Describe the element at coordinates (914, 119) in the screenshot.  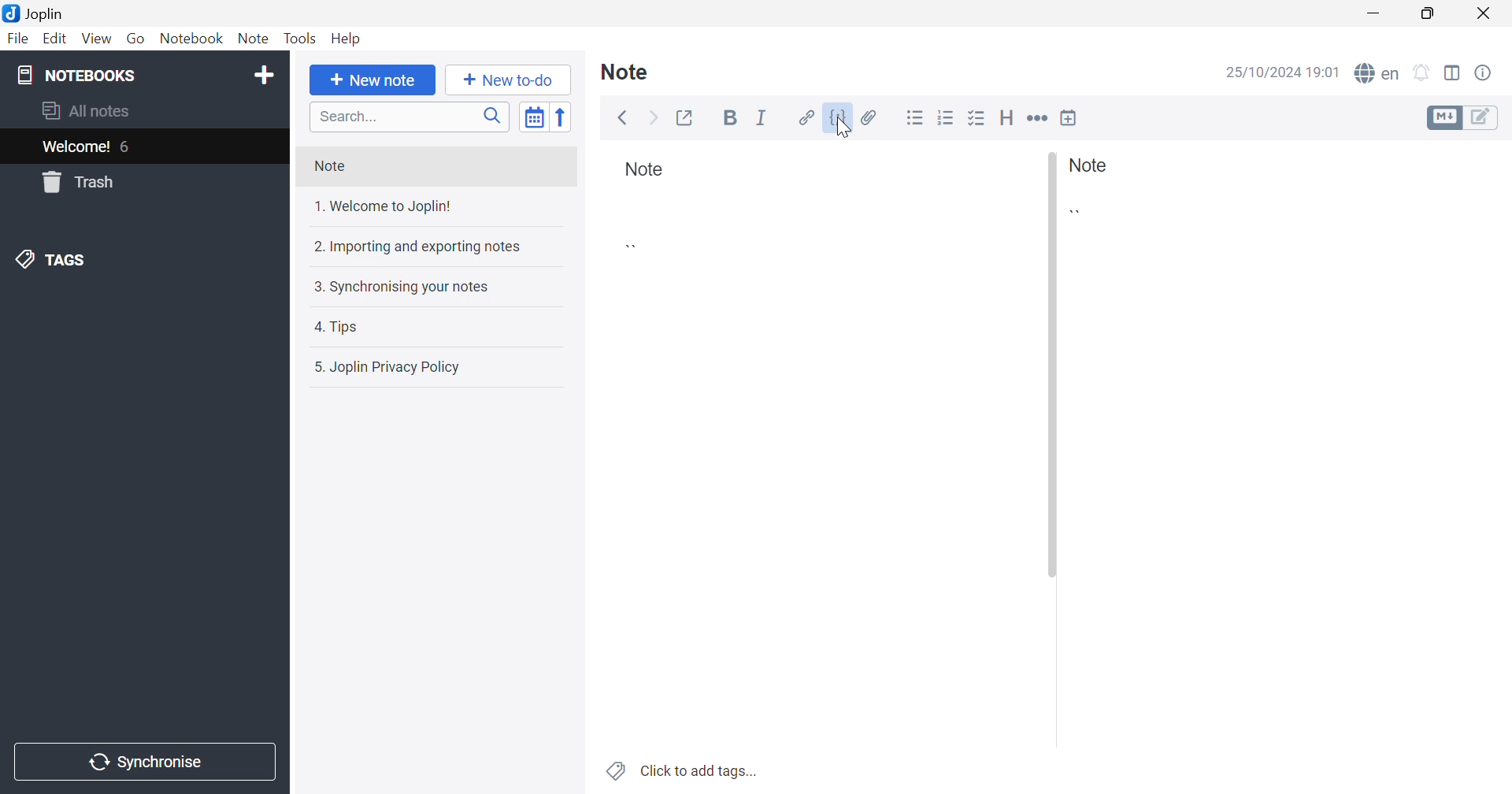
I see `Bulleted List` at that location.